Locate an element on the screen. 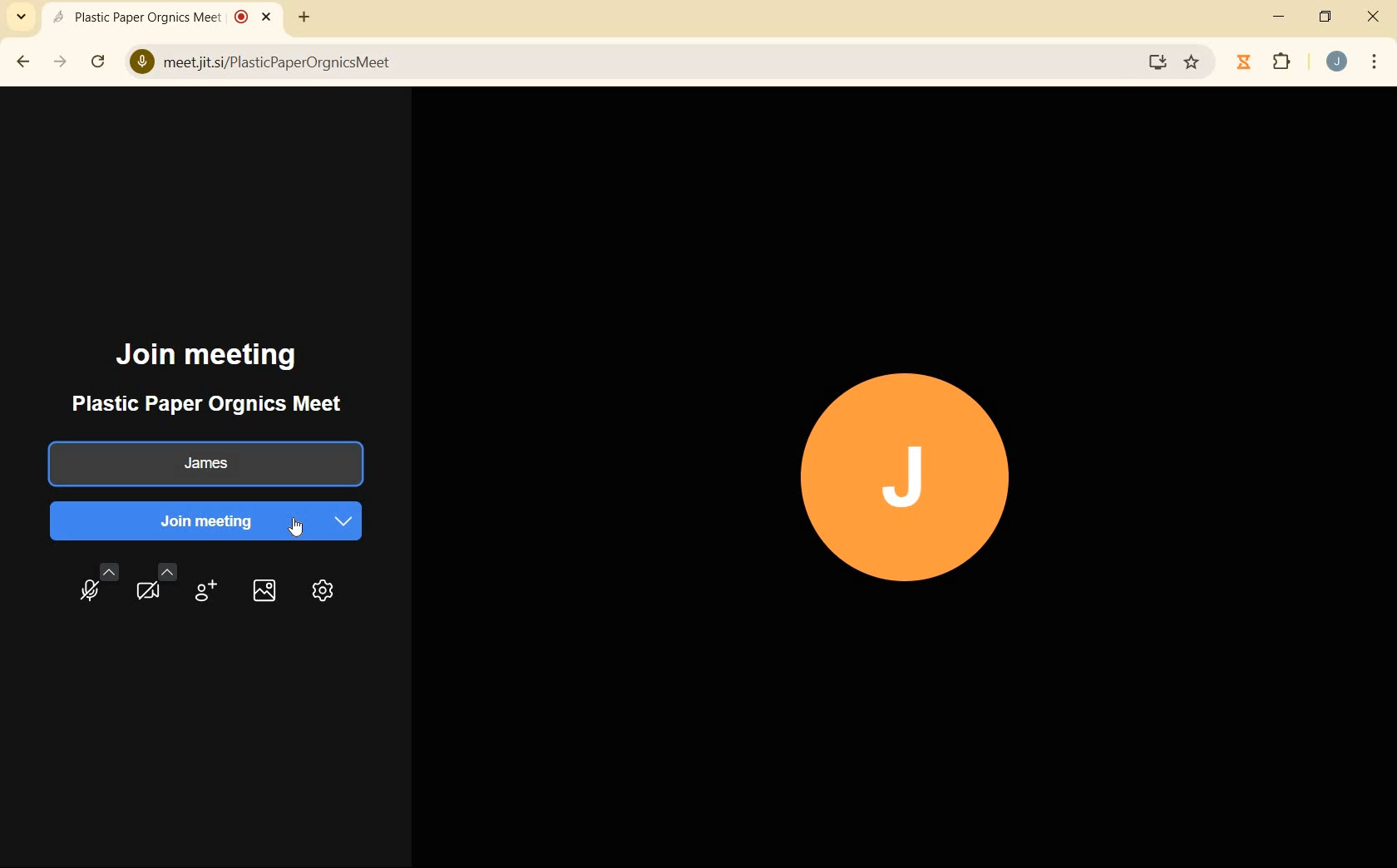  select background is located at coordinates (263, 590).